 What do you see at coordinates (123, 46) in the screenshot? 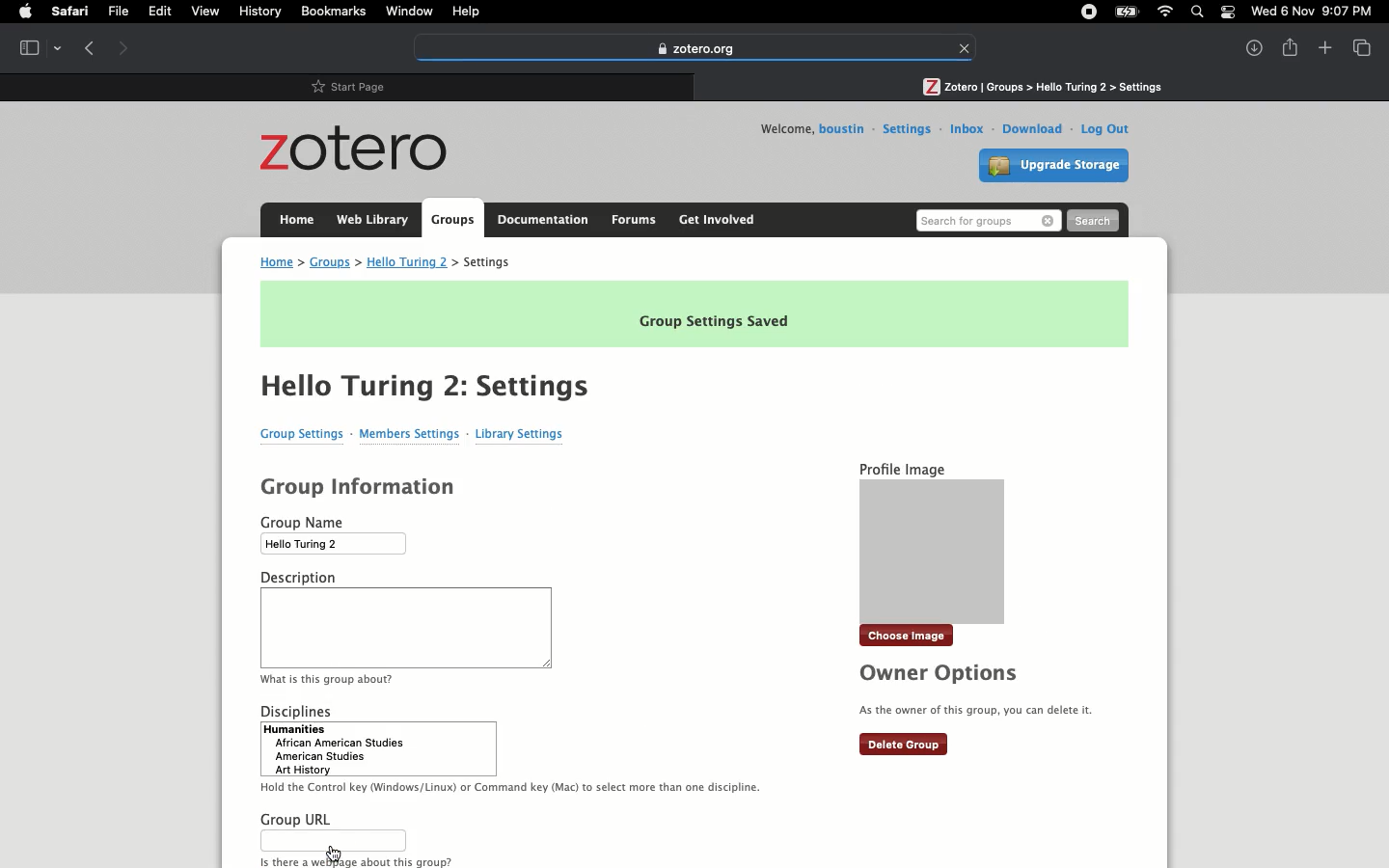
I see `Forward` at bounding box center [123, 46].